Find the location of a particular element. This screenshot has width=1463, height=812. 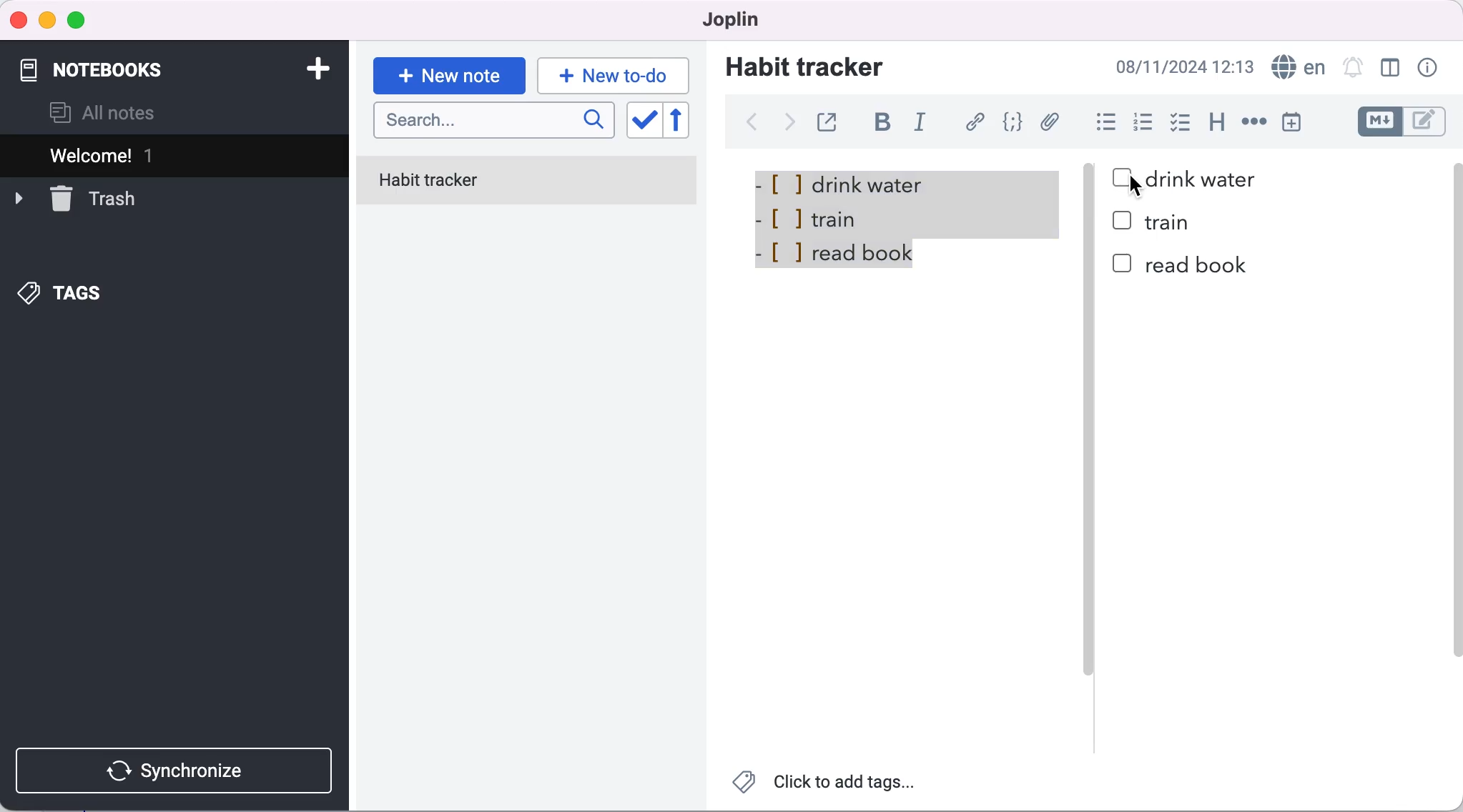

scroll bar is located at coordinates (1454, 442).